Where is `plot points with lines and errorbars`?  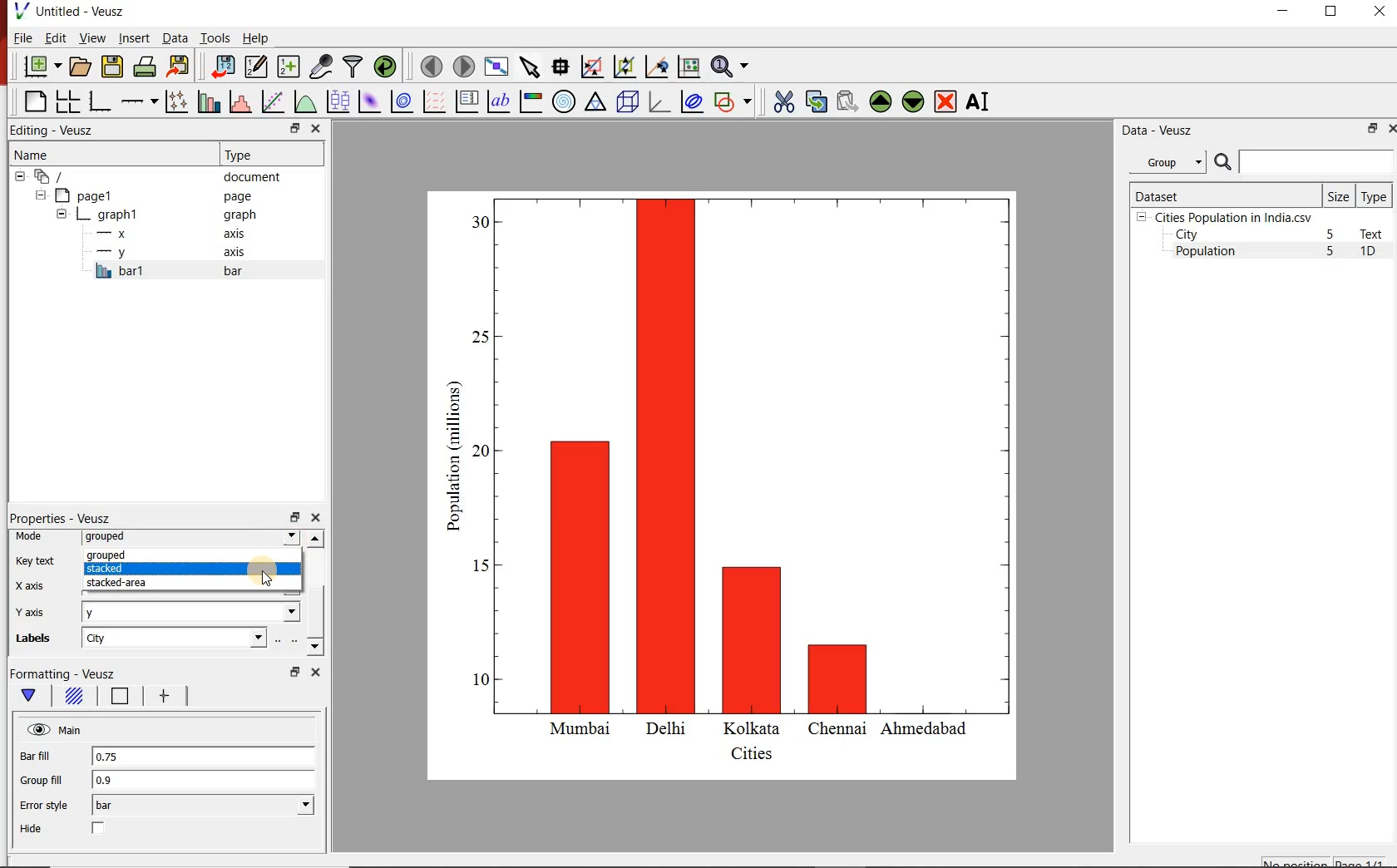
plot points with lines and errorbars is located at coordinates (174, 101).